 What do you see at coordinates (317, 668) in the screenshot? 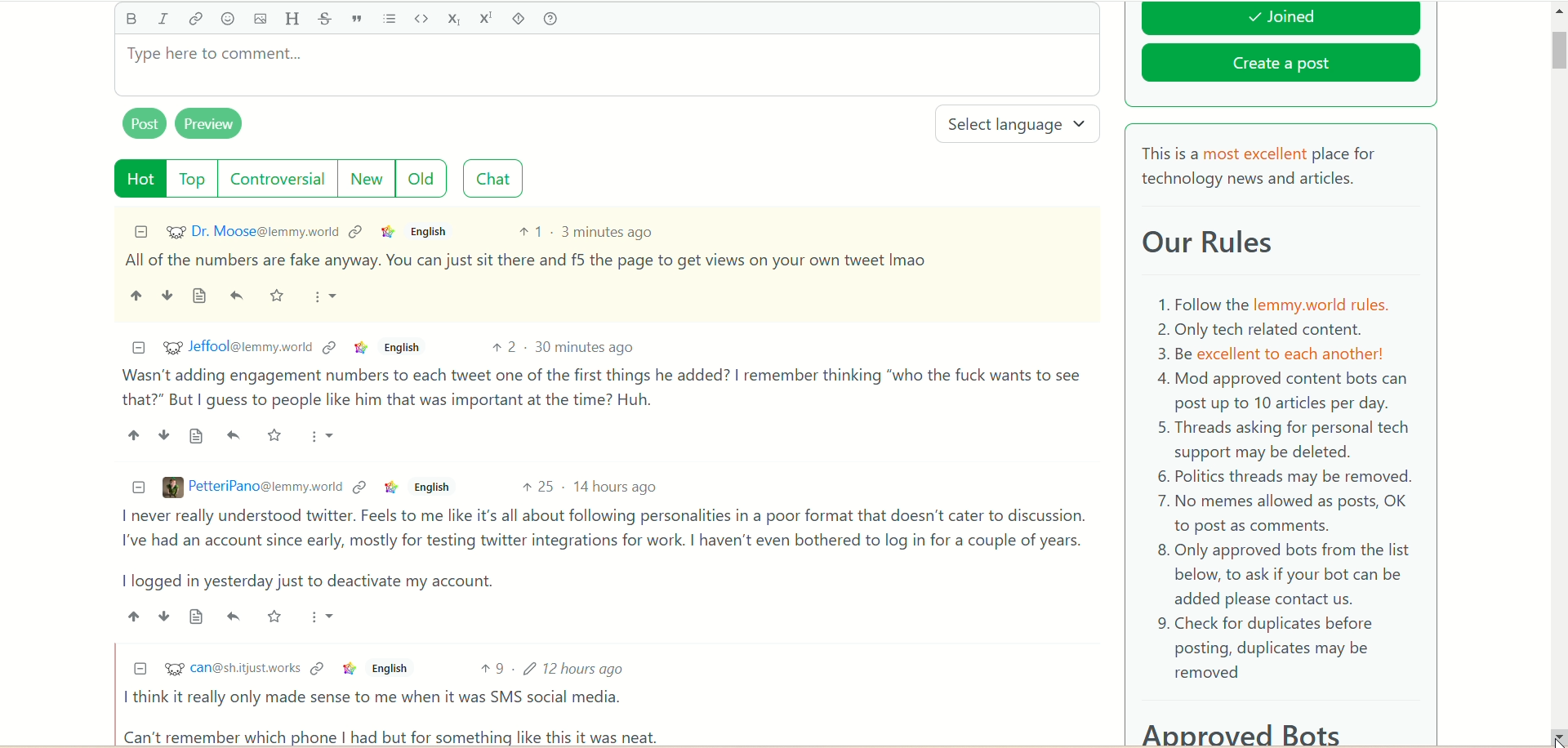
I see `Link` at bounding box center [317, 668].